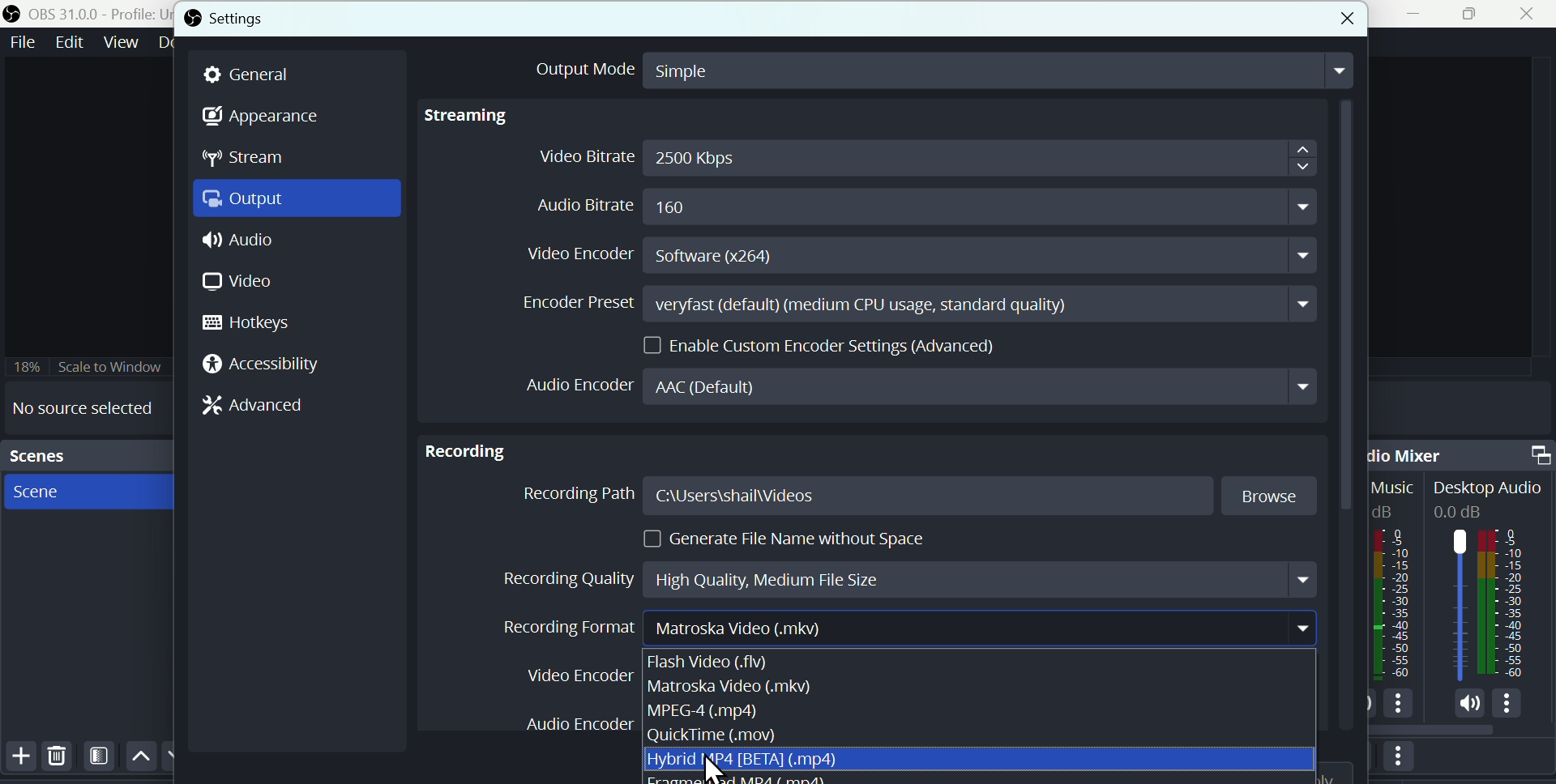 The height and width of the screenshot is (784, 1556). What do you see at coordinates (87, 366) in the screenshot?
I see ` Scale to window` at bounding box center [87, 366].